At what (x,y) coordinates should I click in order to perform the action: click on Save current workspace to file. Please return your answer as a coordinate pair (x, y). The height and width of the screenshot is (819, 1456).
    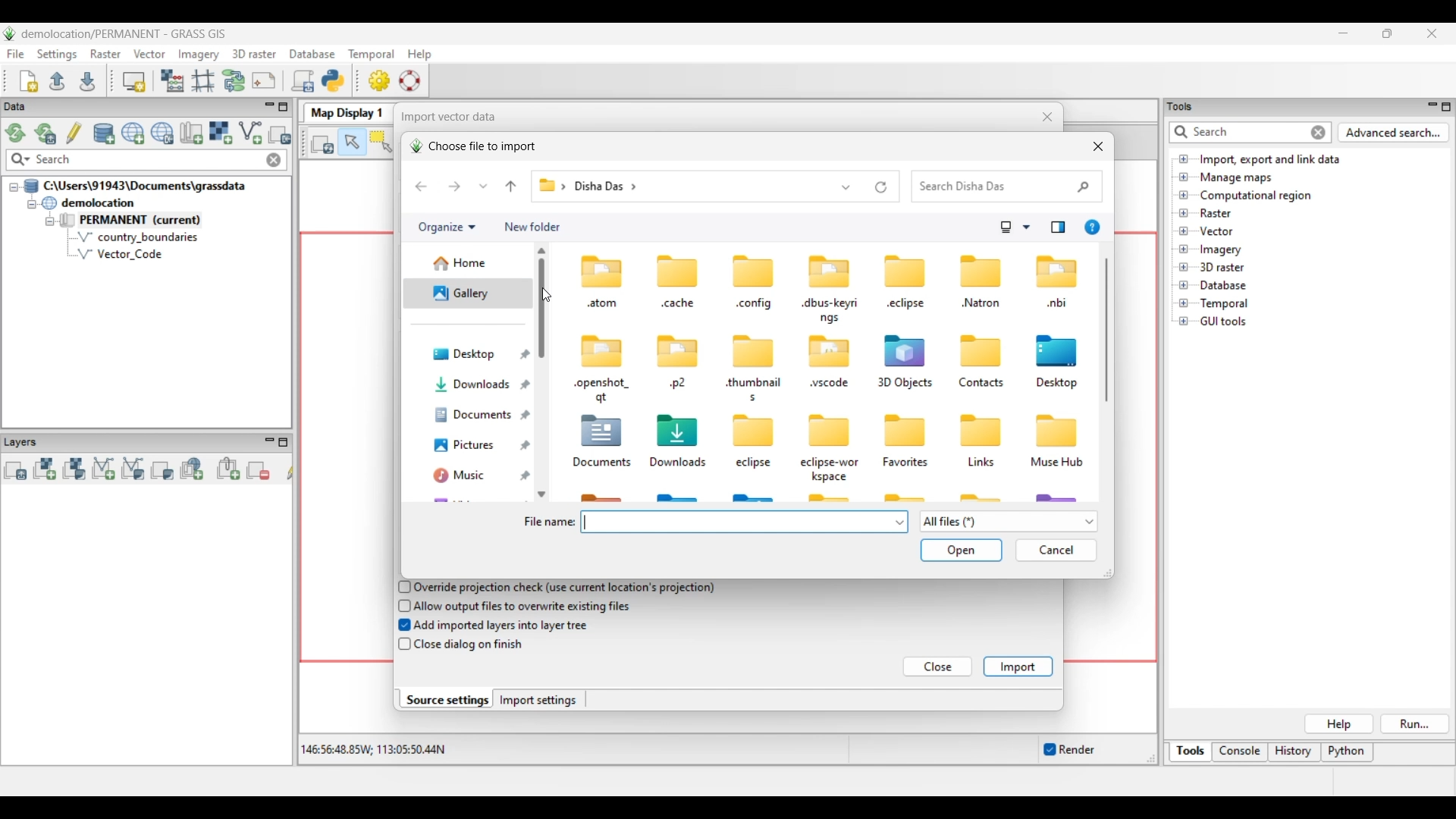
    Looking at the image, I should click on (87, 80).